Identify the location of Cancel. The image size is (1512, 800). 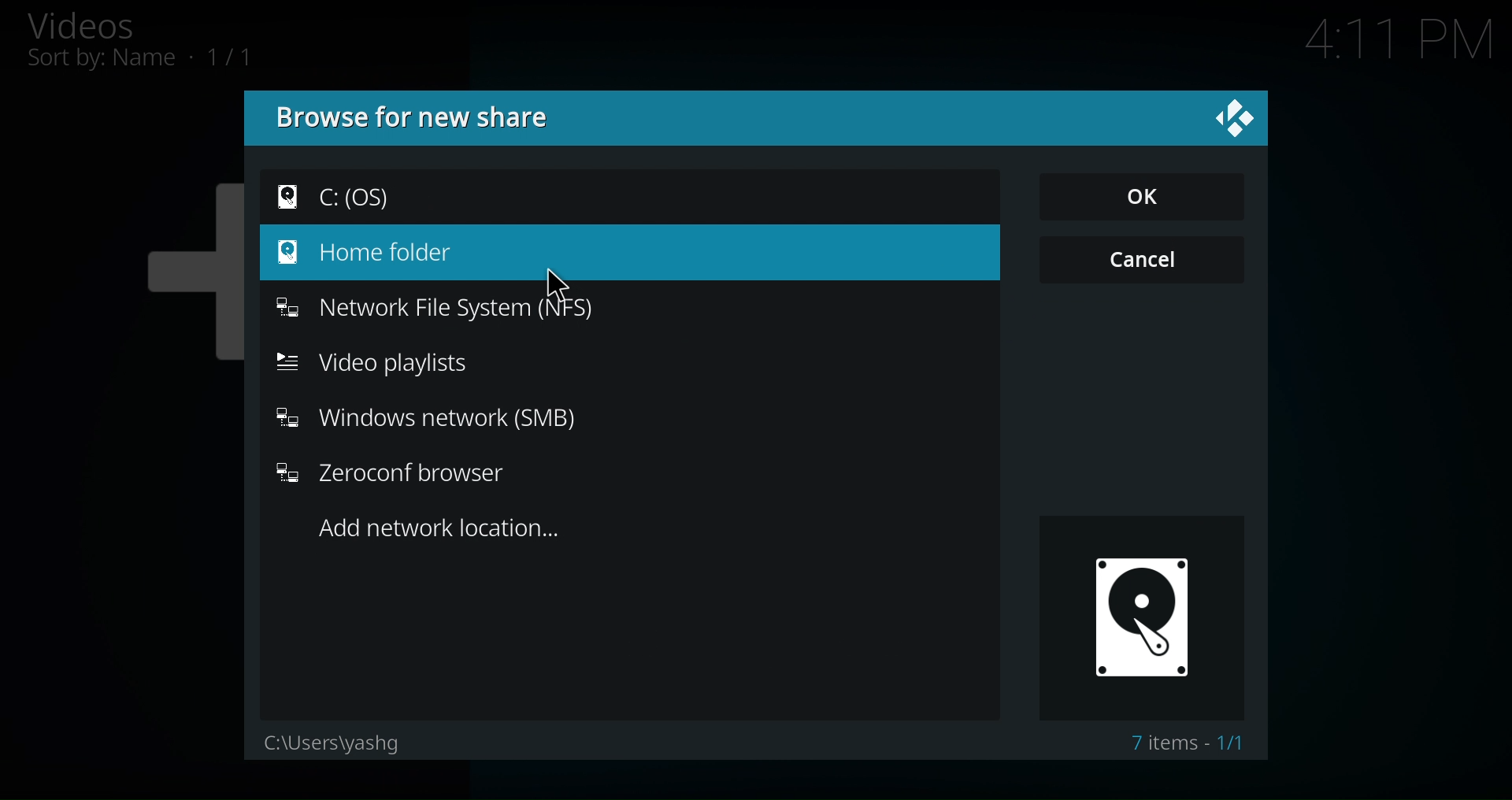
(1142, 259).